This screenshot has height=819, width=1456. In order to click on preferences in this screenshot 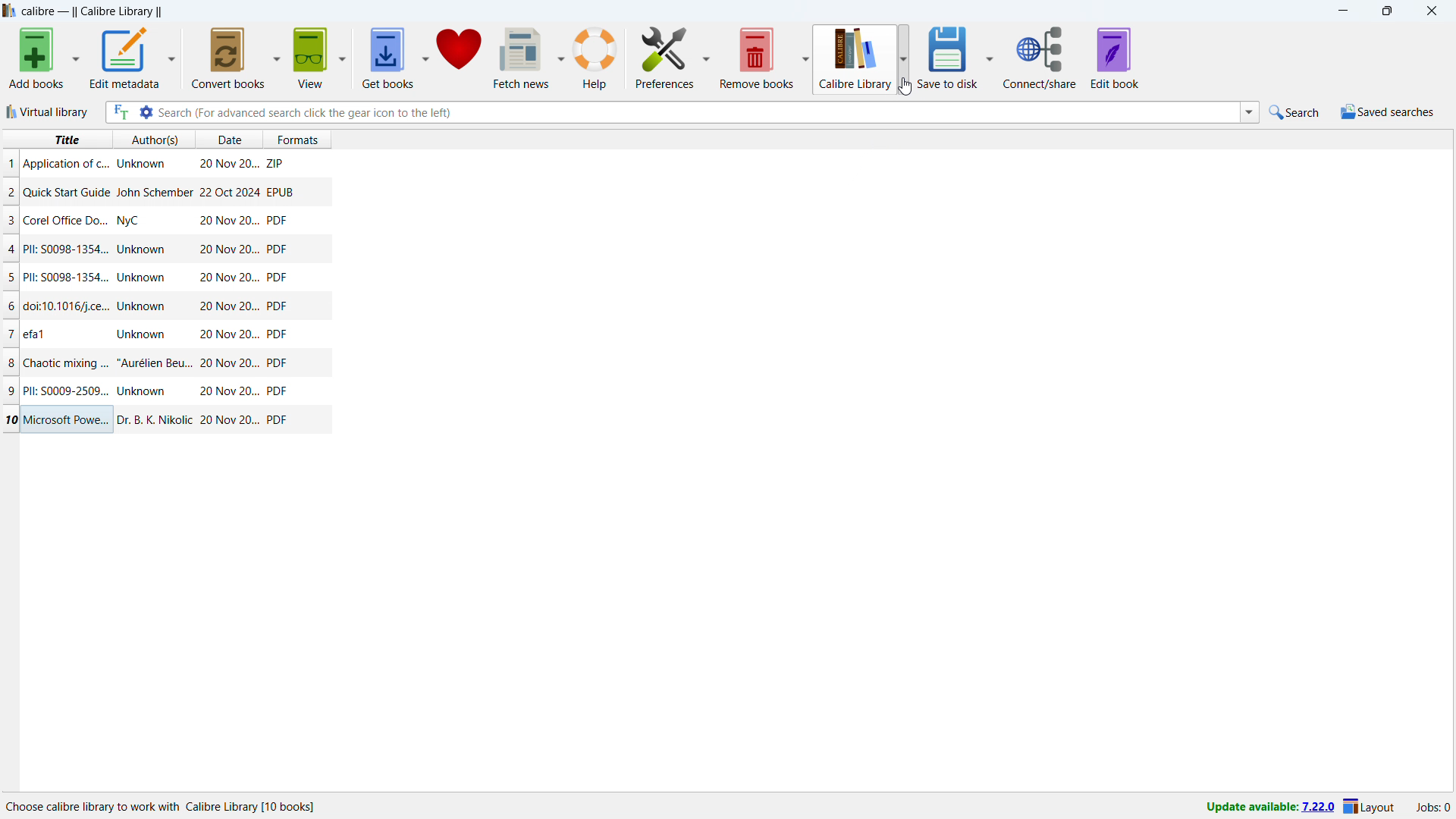, I will do `click(666, 56)`.